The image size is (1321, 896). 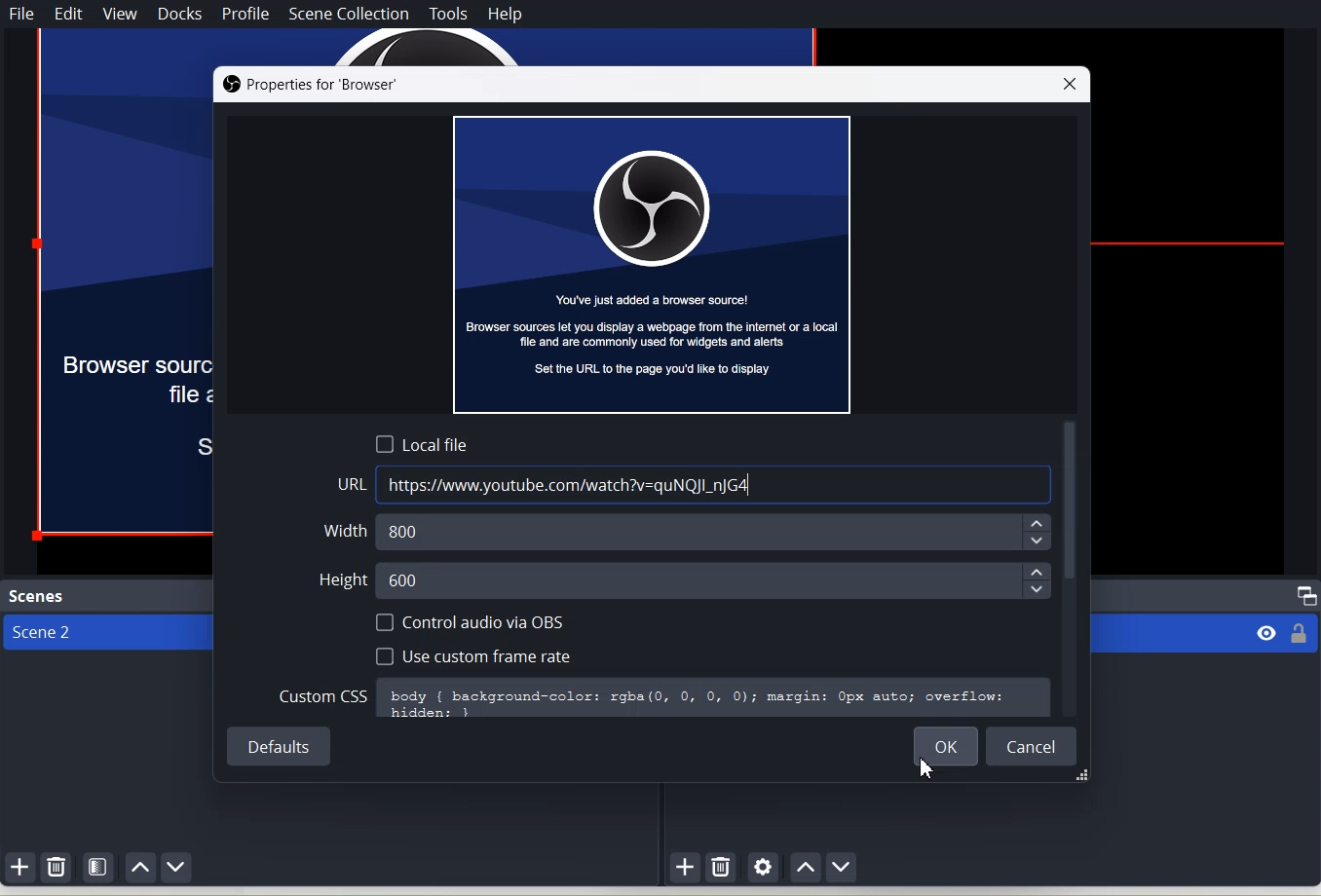 What do you see at coordinates (106, 634) in the screenshot?
I see `Scene 2` at bounding box center [106, 634].